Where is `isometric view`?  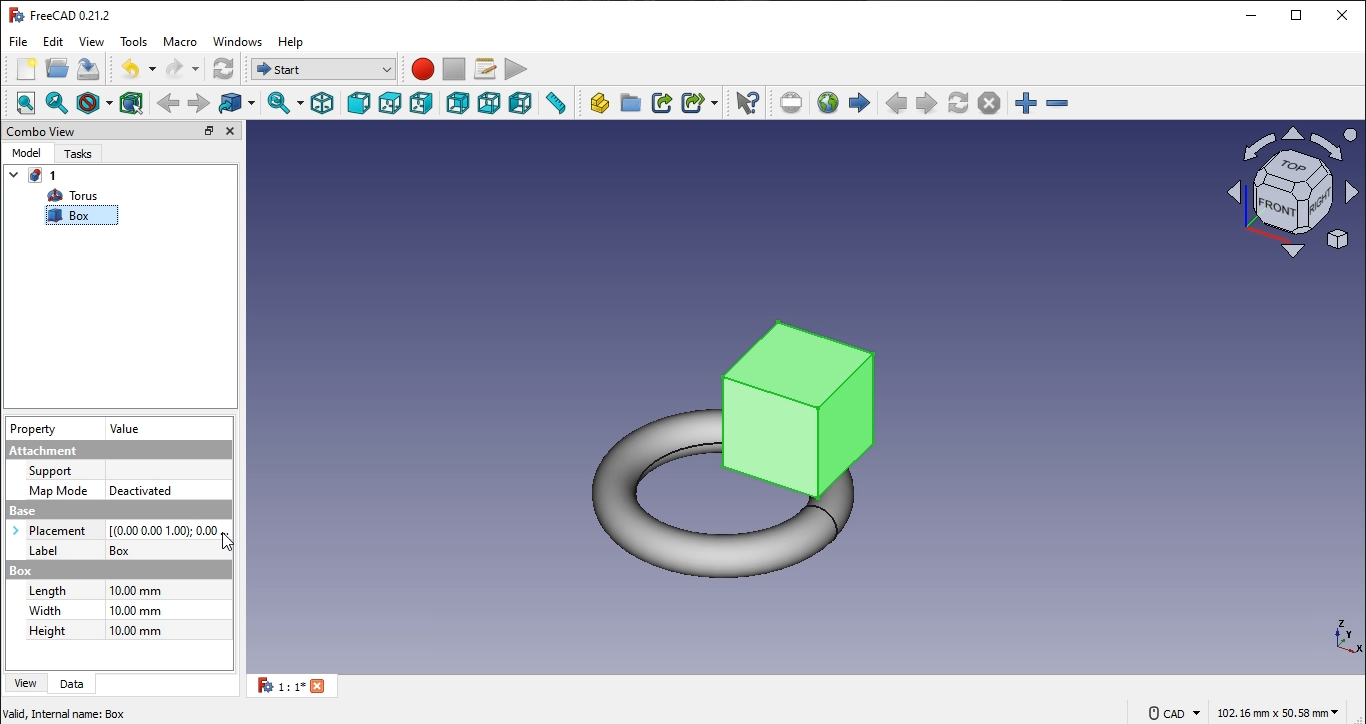 isometric view is located at coordinates (321, 104).